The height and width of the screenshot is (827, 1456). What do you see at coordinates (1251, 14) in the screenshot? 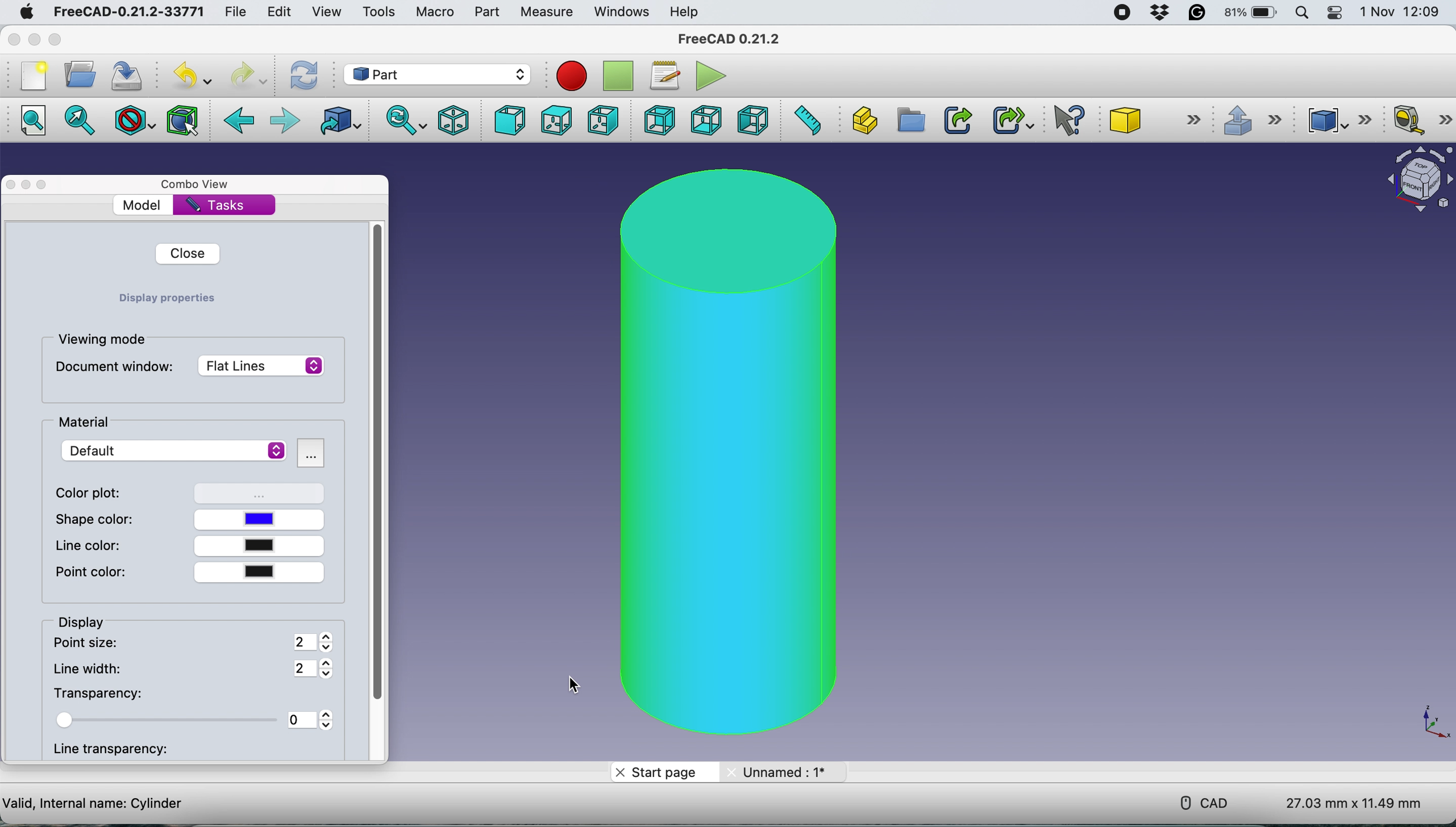
I see `battery` at bounding box center [1251, 14].